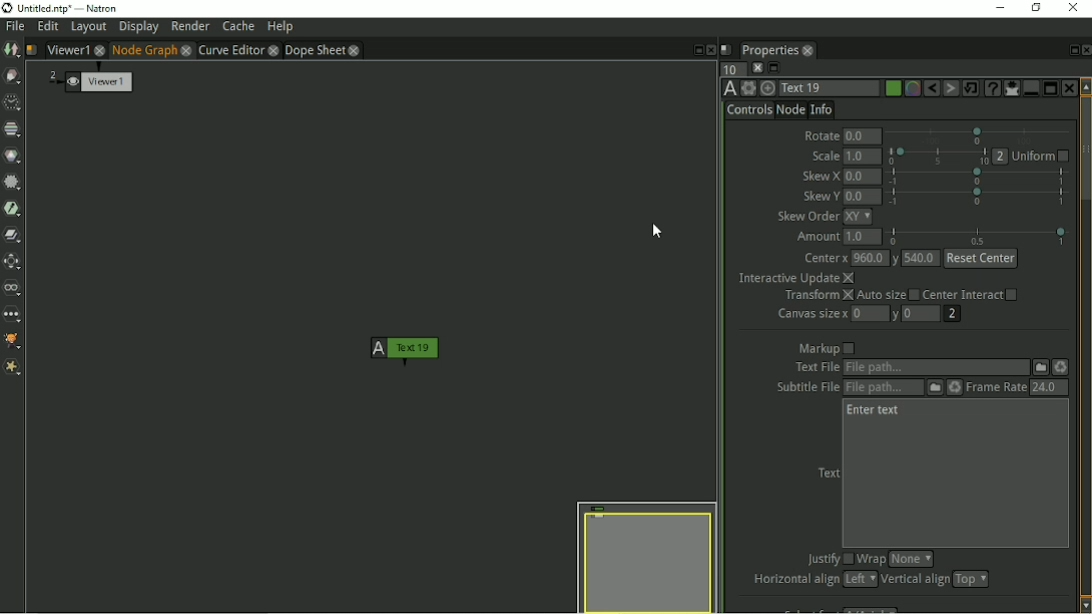 This screenshot has width=1092, height=614. I want to click on Help, so click(280, 26).